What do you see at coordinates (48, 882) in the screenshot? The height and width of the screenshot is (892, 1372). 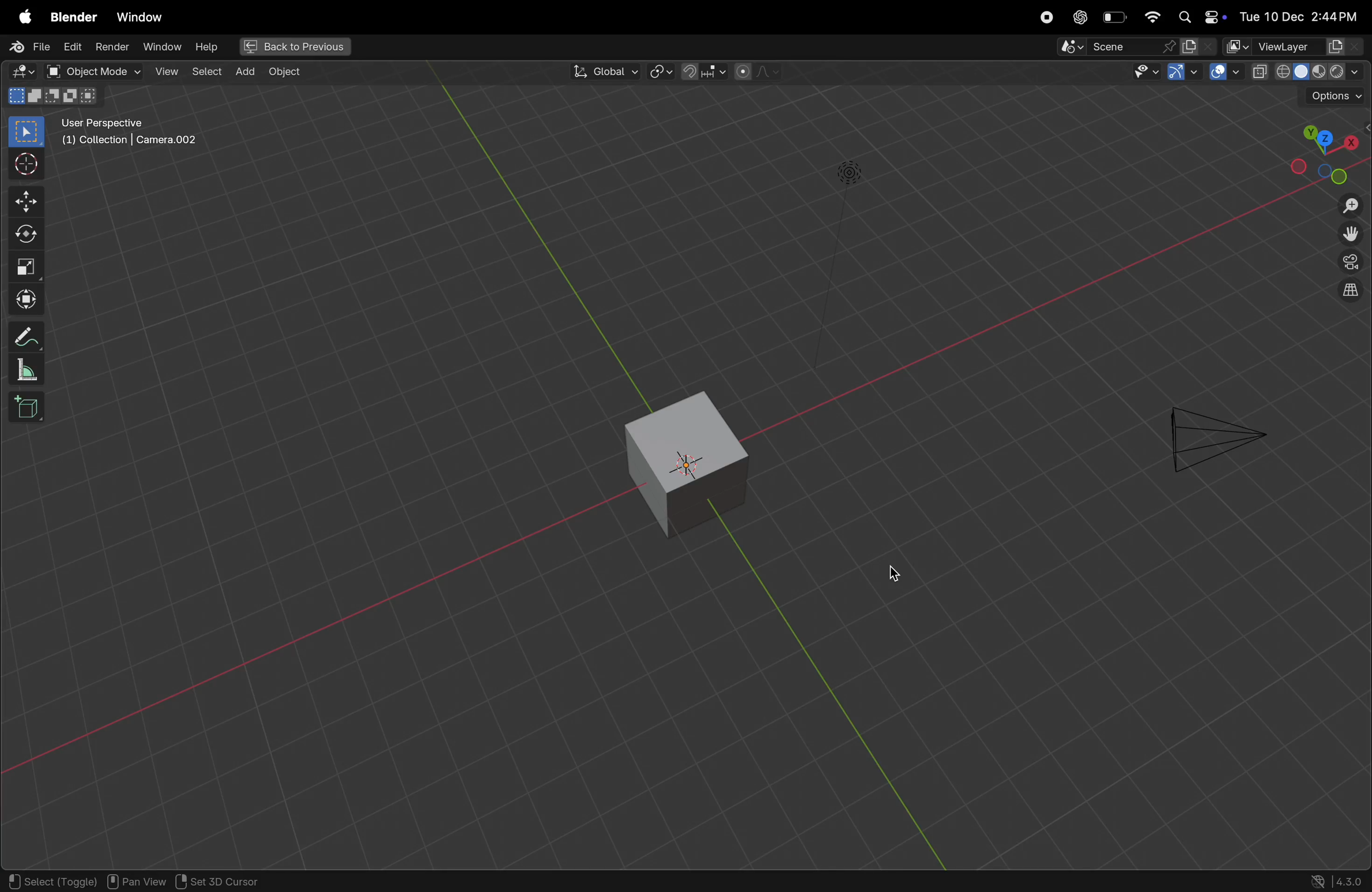 I see `select toggle` at bounding box center [48, 882].